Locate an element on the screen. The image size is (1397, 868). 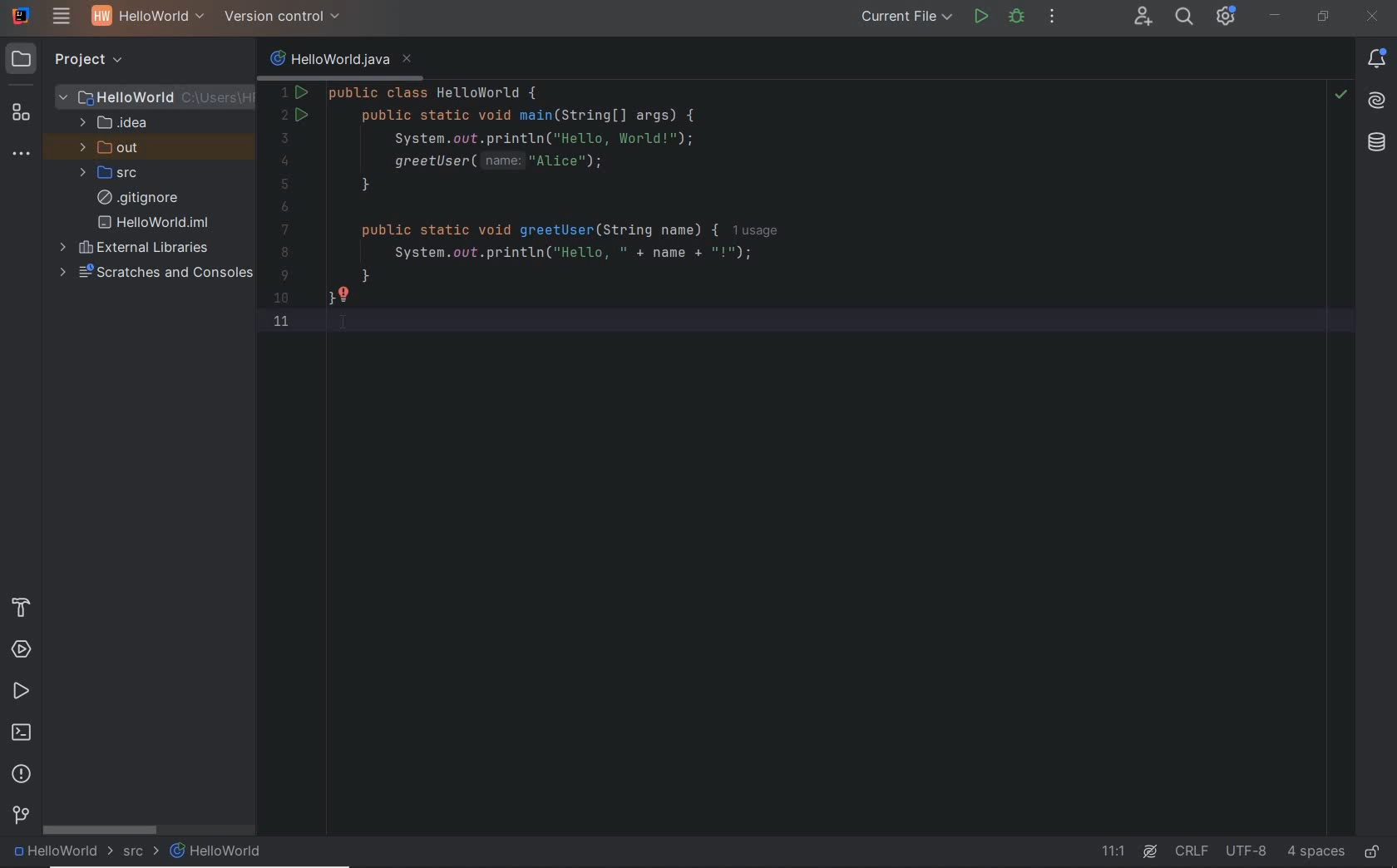
.gitignore is located at coordinates (137, 199).